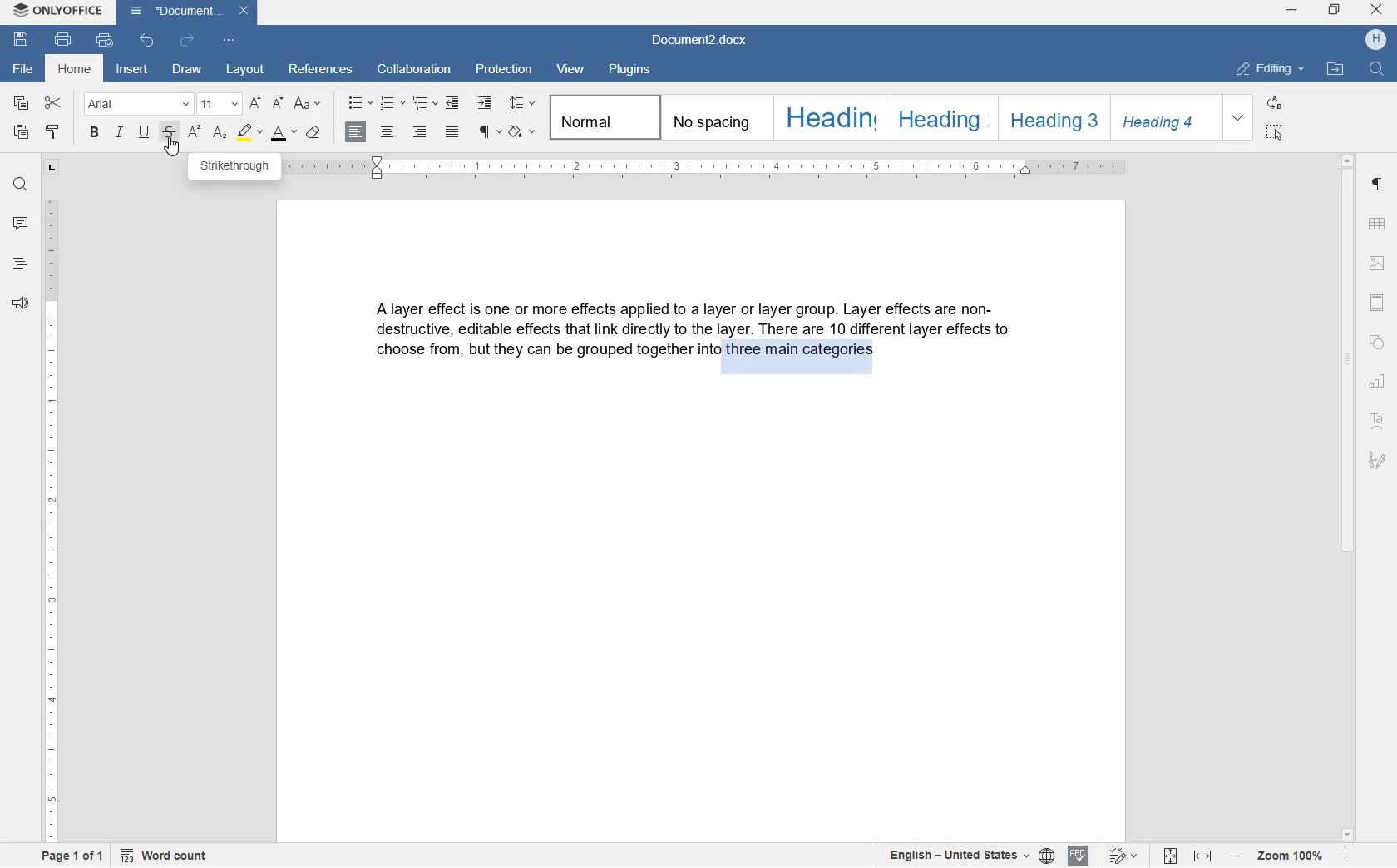  What do you see at coordinates (629, 70) in the screenshot?
I see `plugins` at bounding box center [629, 70].